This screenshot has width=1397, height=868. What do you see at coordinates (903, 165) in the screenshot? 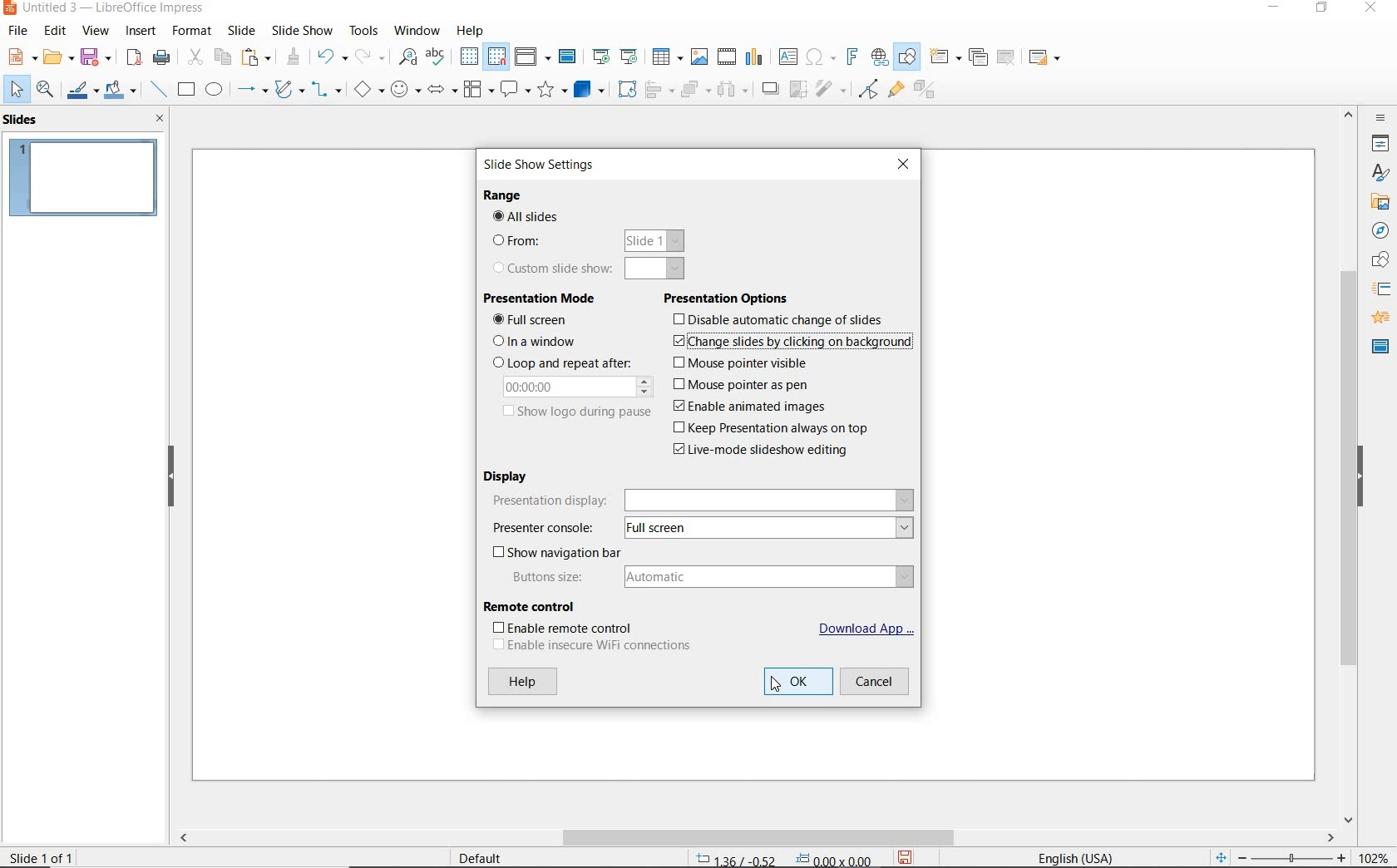
I see `CLOSE` at bounding box center [903, 165].